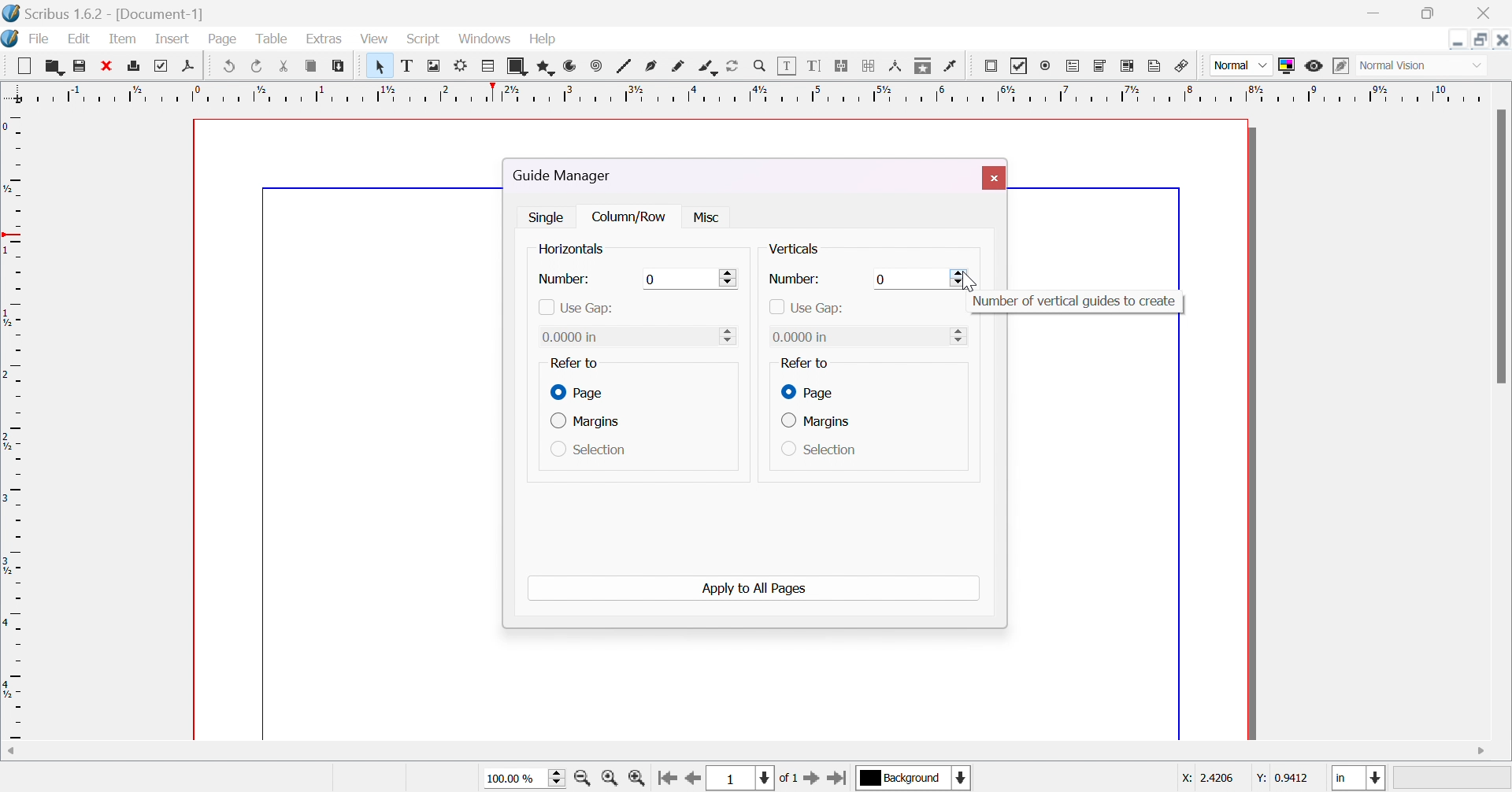 The image size is (1512, 792). Describe the element at coordinates (256, 65) in the screenshot. I see `redo` at that location.